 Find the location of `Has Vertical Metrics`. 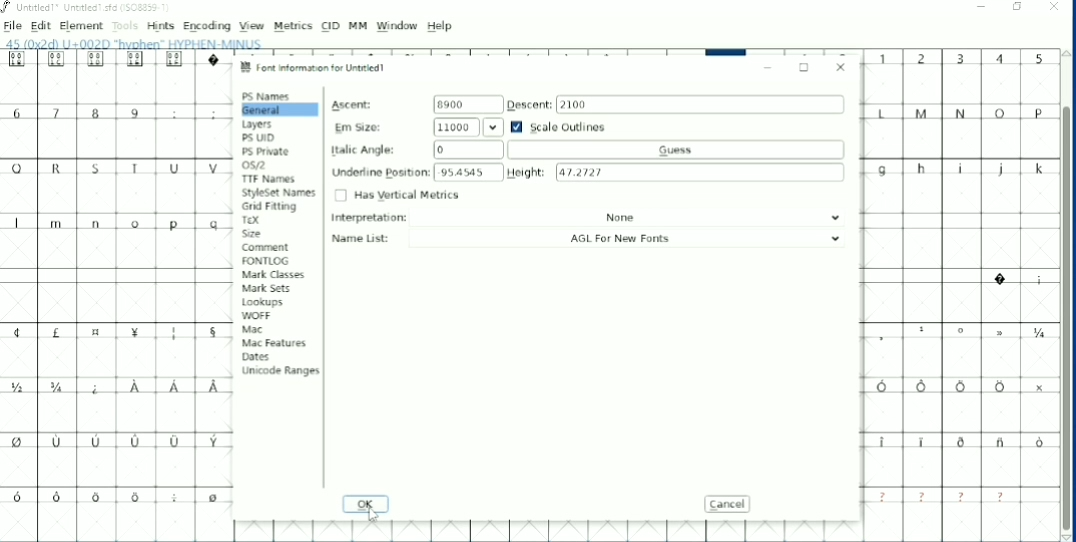

Has Vertical Metrics is located at coordinates (397, 195).